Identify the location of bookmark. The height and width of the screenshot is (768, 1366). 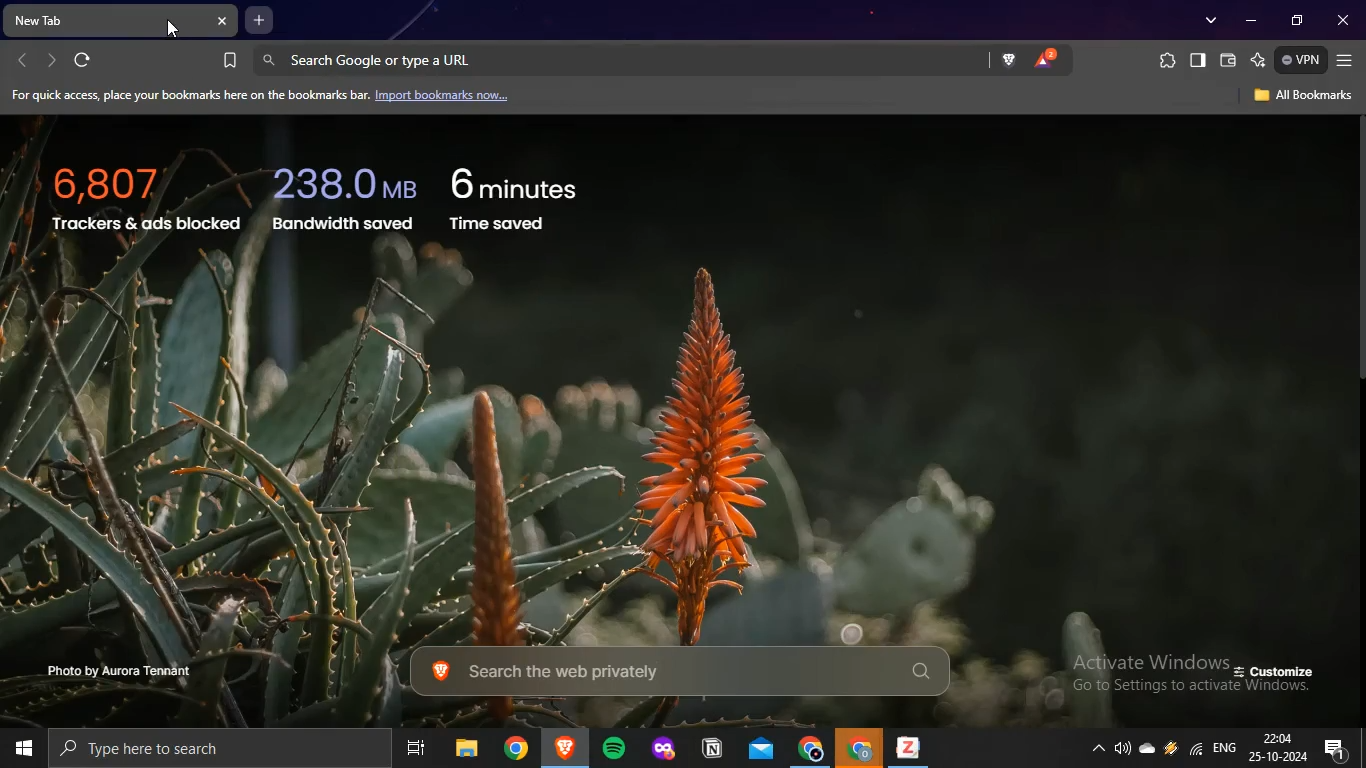
(232, 58).